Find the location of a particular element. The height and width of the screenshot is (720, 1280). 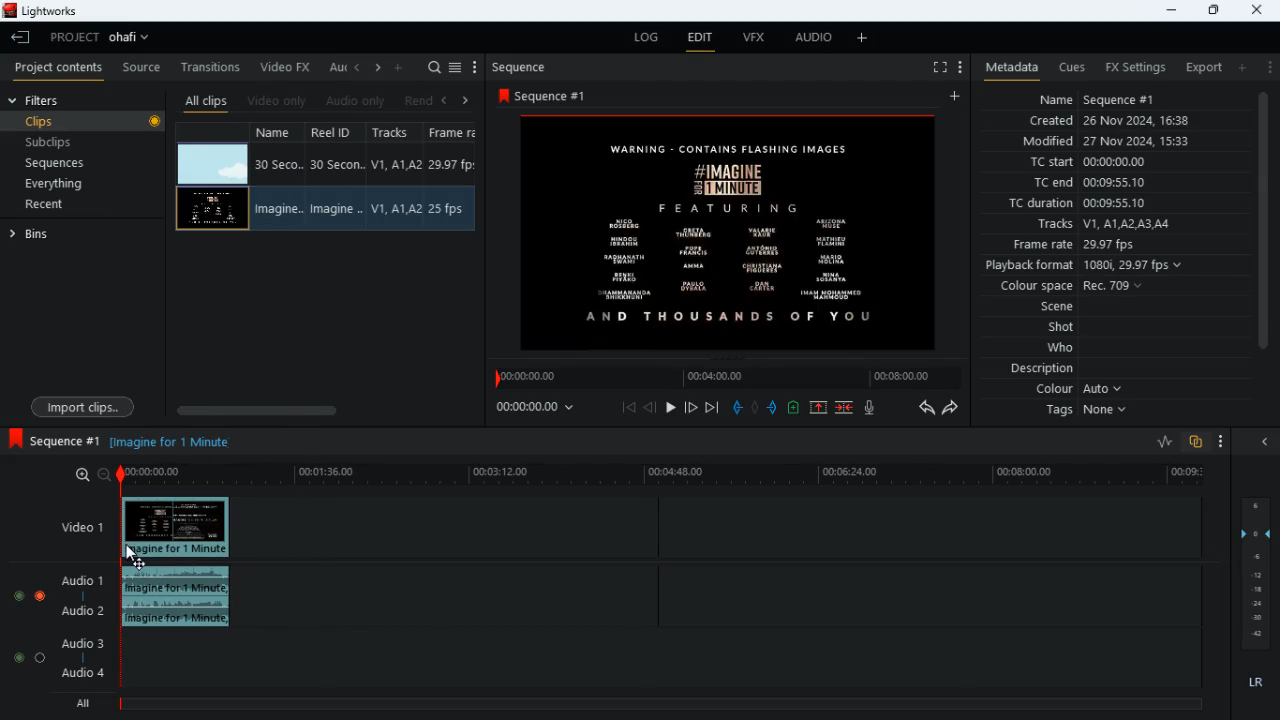

recent is located at coordinates (62, 206).